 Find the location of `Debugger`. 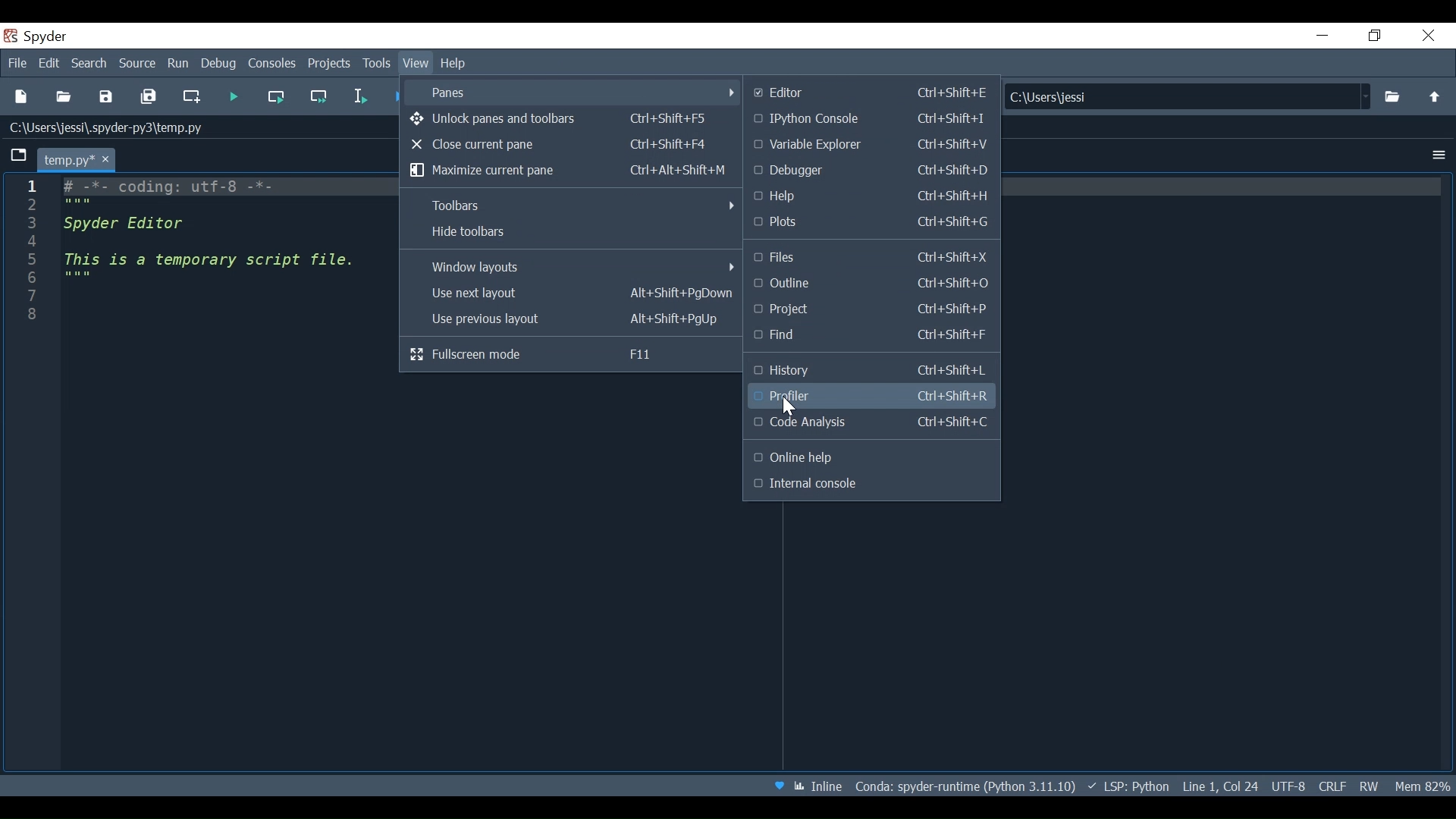

Debugger is located at coordinates (872, 171).